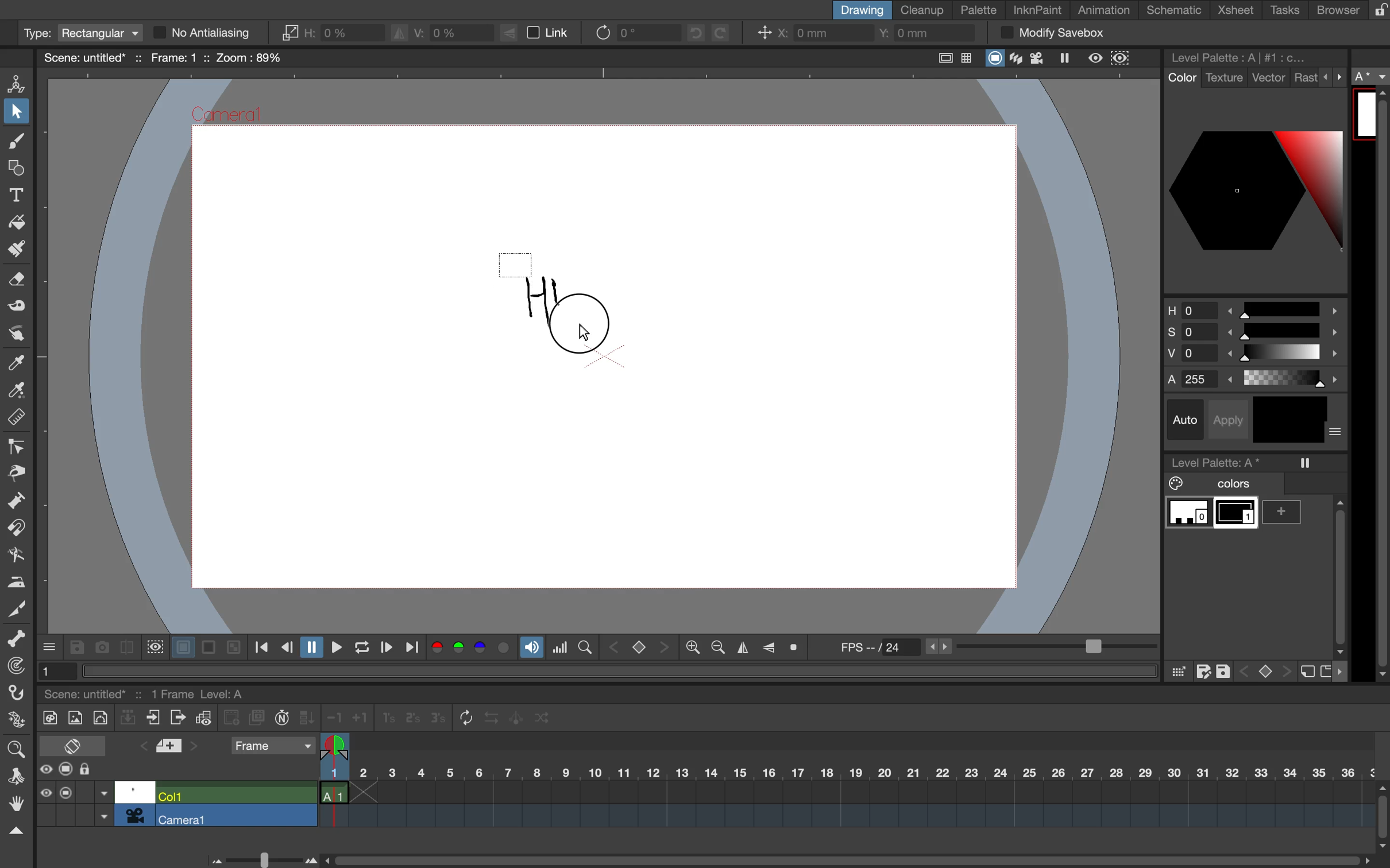 This screenshot has height=868, width=1390. I want to click on fill in empty cells, so click(308, 718).